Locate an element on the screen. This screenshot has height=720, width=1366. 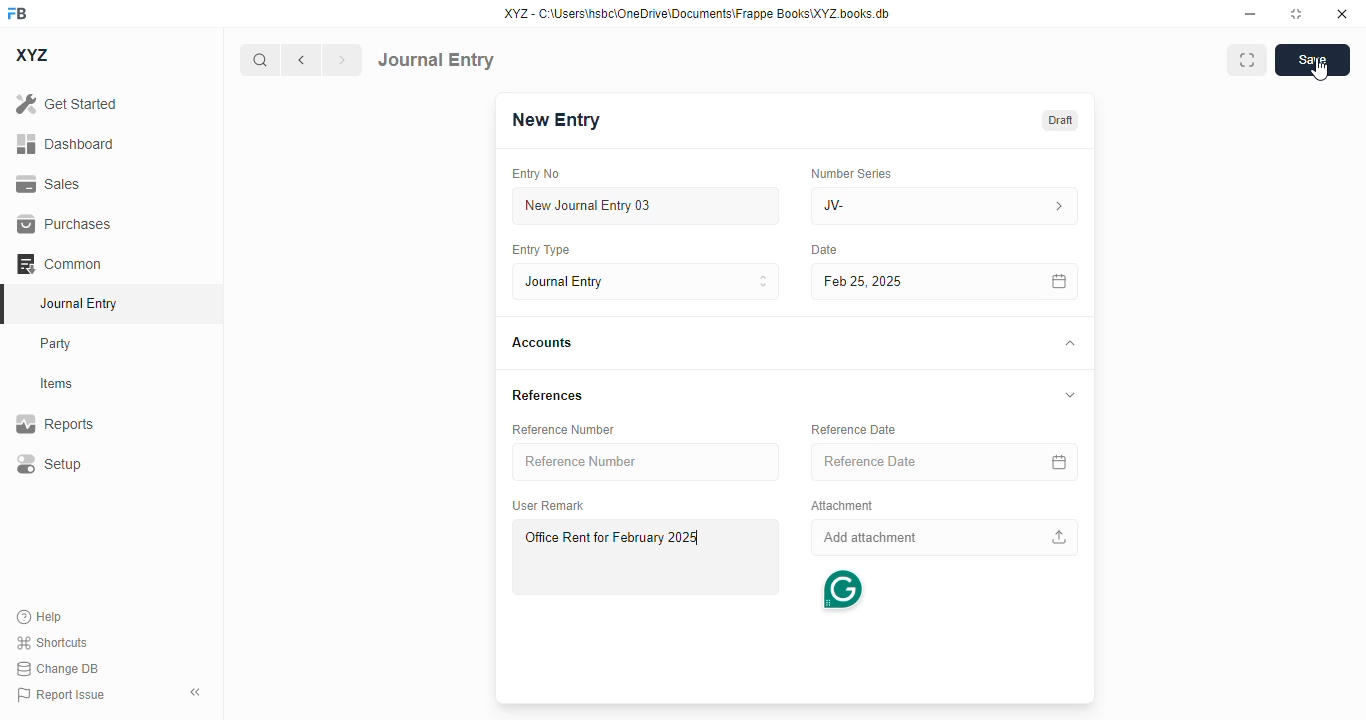
reference data is located at coordinates (854, 429).